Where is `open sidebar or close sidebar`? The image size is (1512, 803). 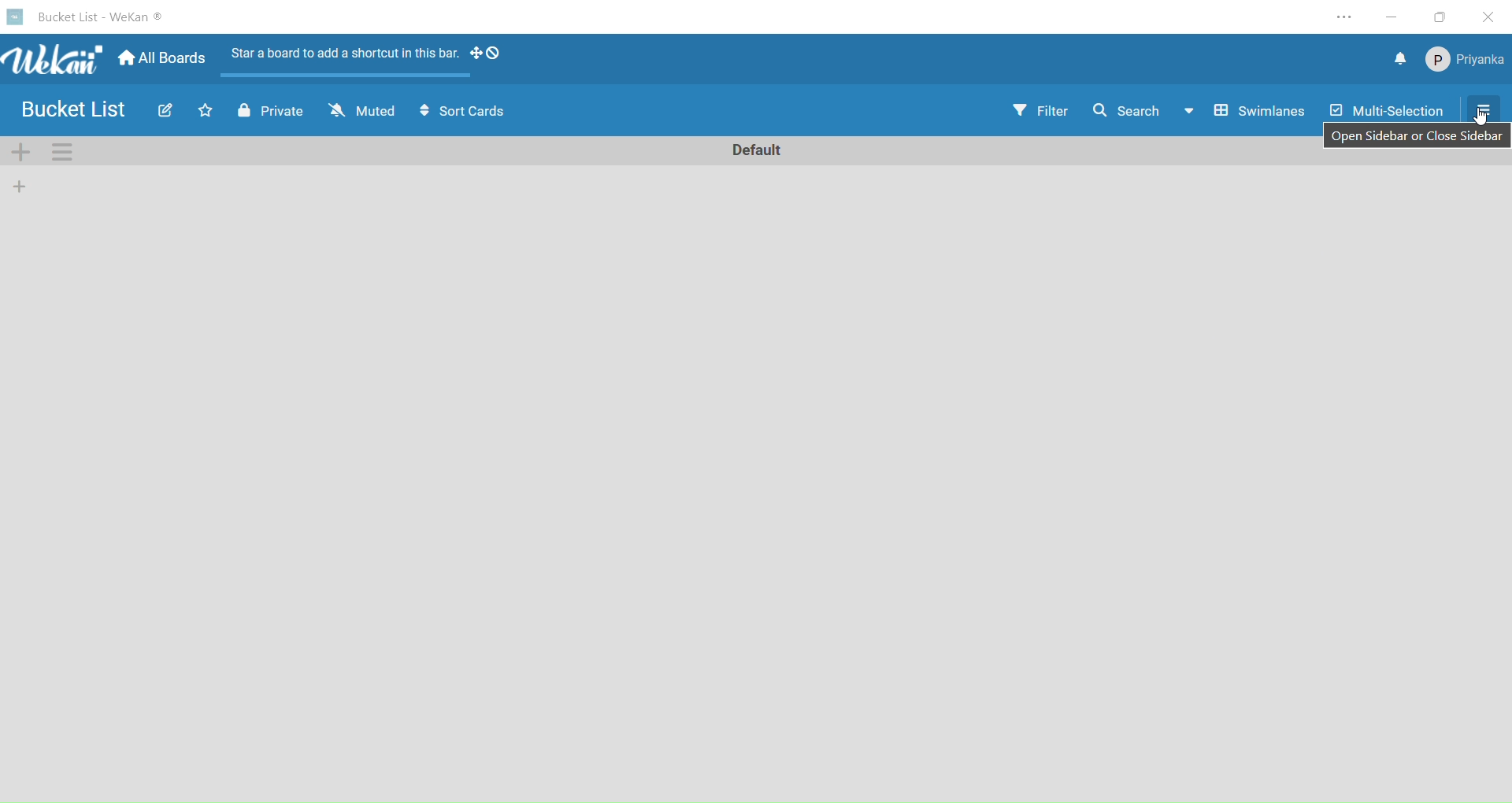
open sidebar or close sidebar is located at coordinates (1416, 136).